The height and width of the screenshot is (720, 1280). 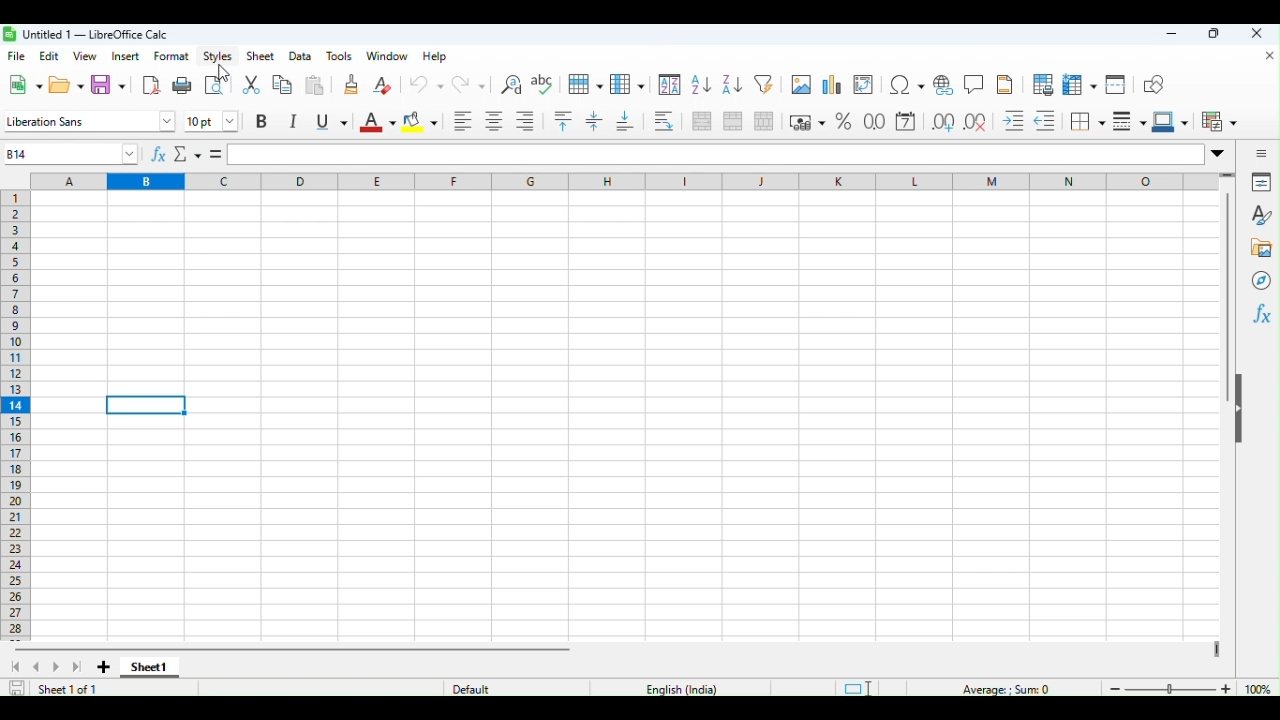 What do you see at coordinates (152, 666) in the screenshot?
I see `sheet 1` at bounding box center [152, 666].